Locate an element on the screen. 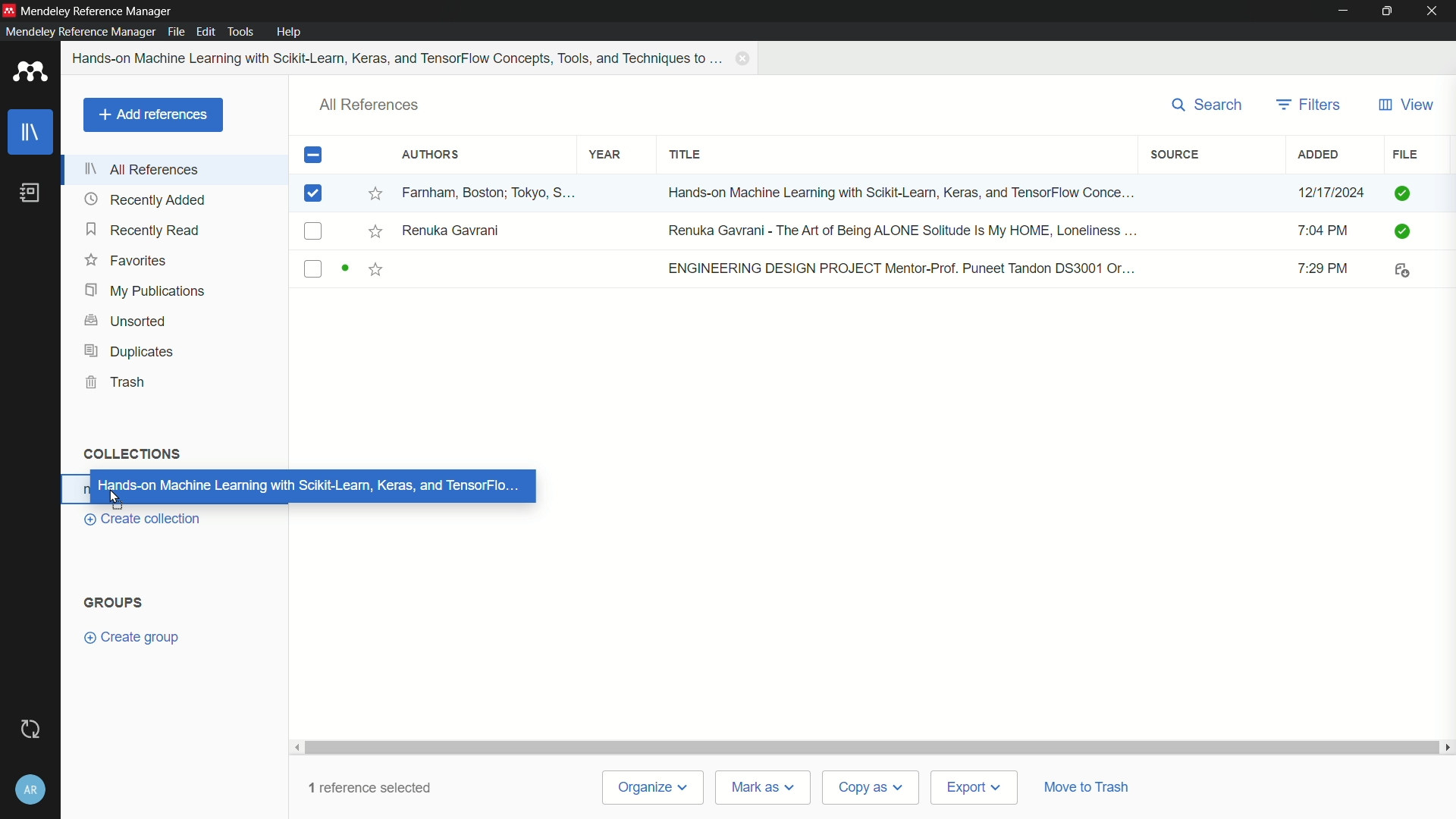 Image resolution: width=1456 pixels, height=819 pixels. title is located at coordinates (686, 155).